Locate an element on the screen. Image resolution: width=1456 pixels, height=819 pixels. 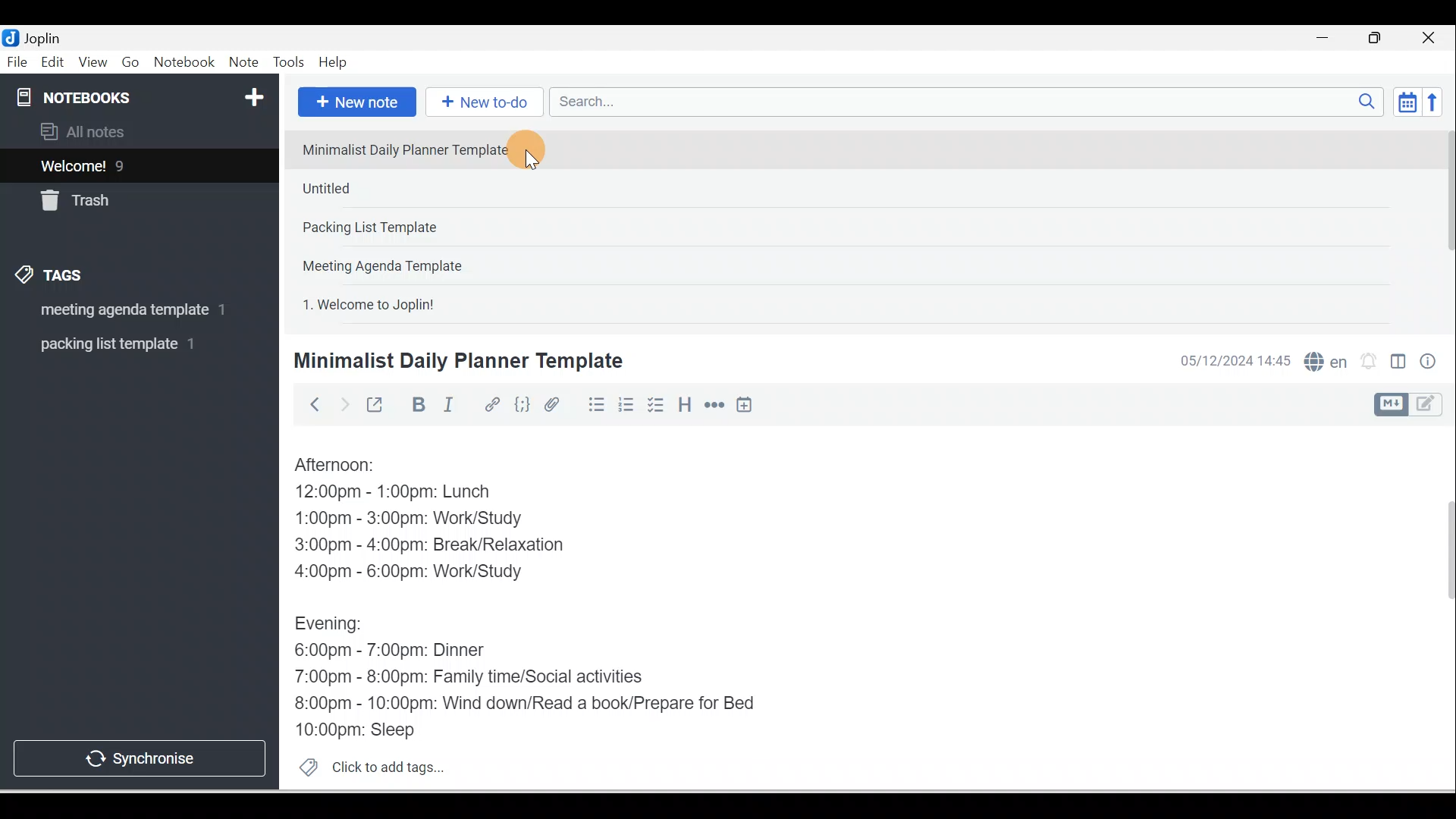
Note is located at coordinates (242, 63).